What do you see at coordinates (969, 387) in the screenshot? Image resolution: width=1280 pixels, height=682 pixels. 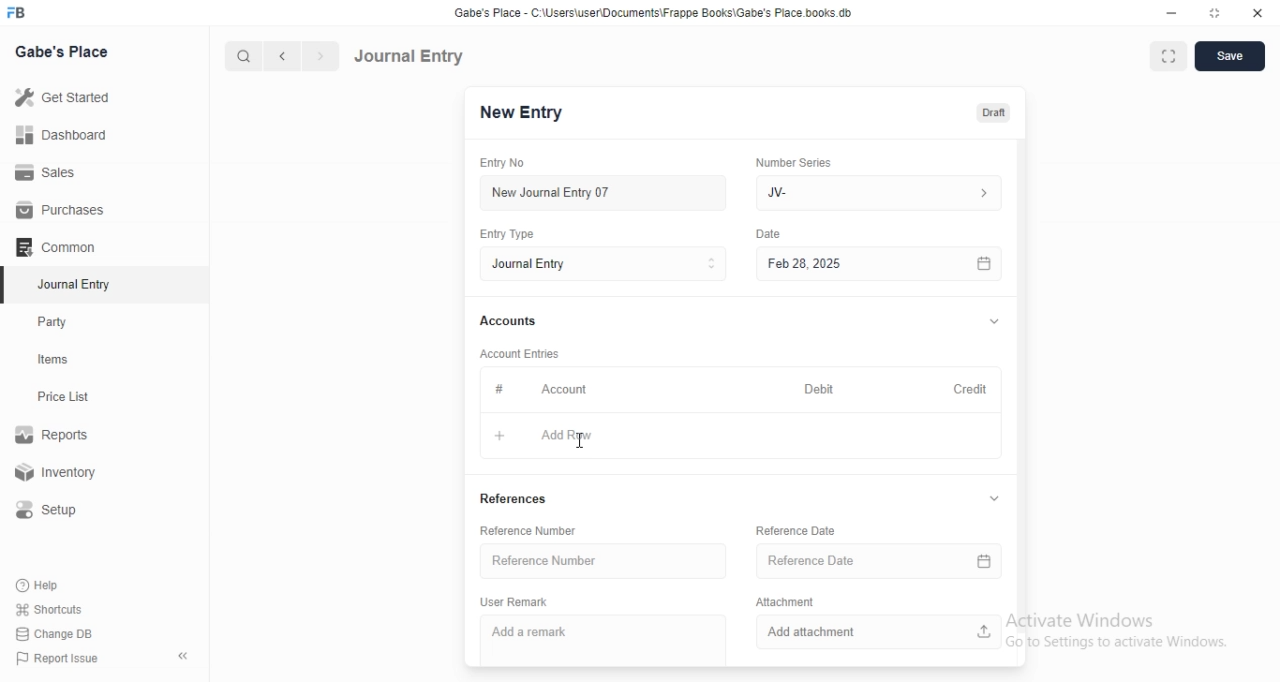 I see `Credit` at bounding box center [969, 387].